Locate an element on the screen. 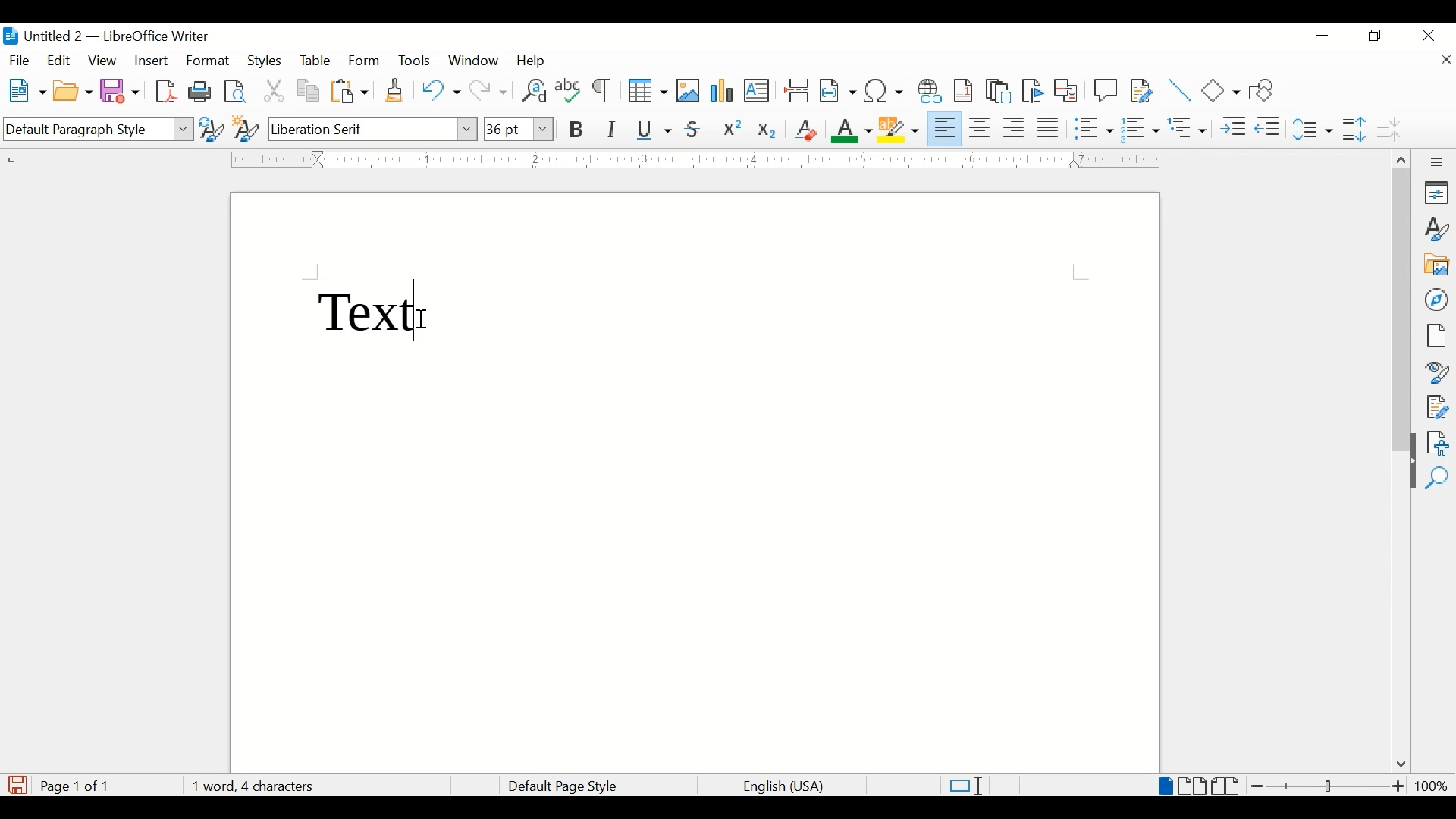 The height and width of the screenshot is (819, 1456). show draw functions is located at coordinates (1266, 89).